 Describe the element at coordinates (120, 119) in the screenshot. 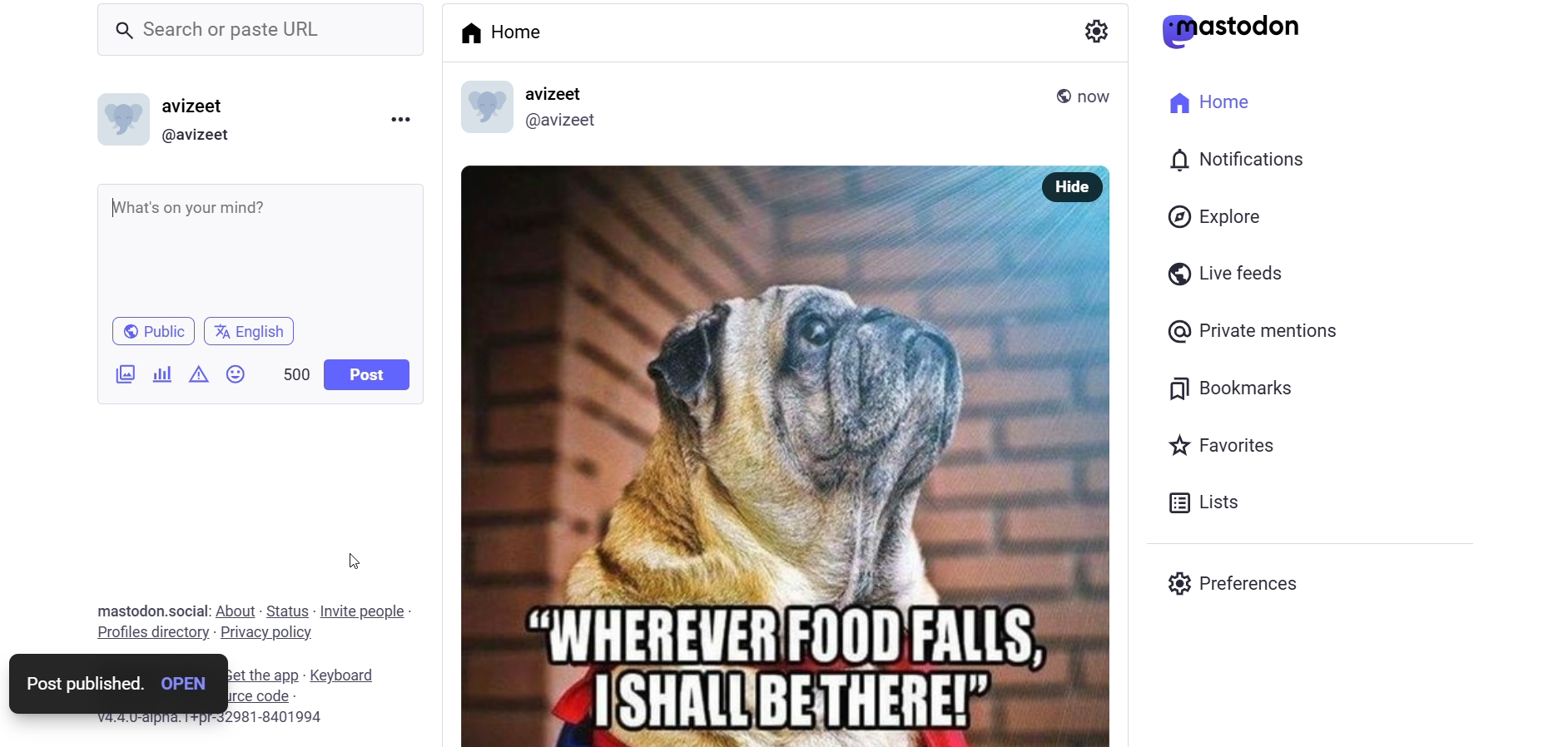

I see `display picture` at that location.